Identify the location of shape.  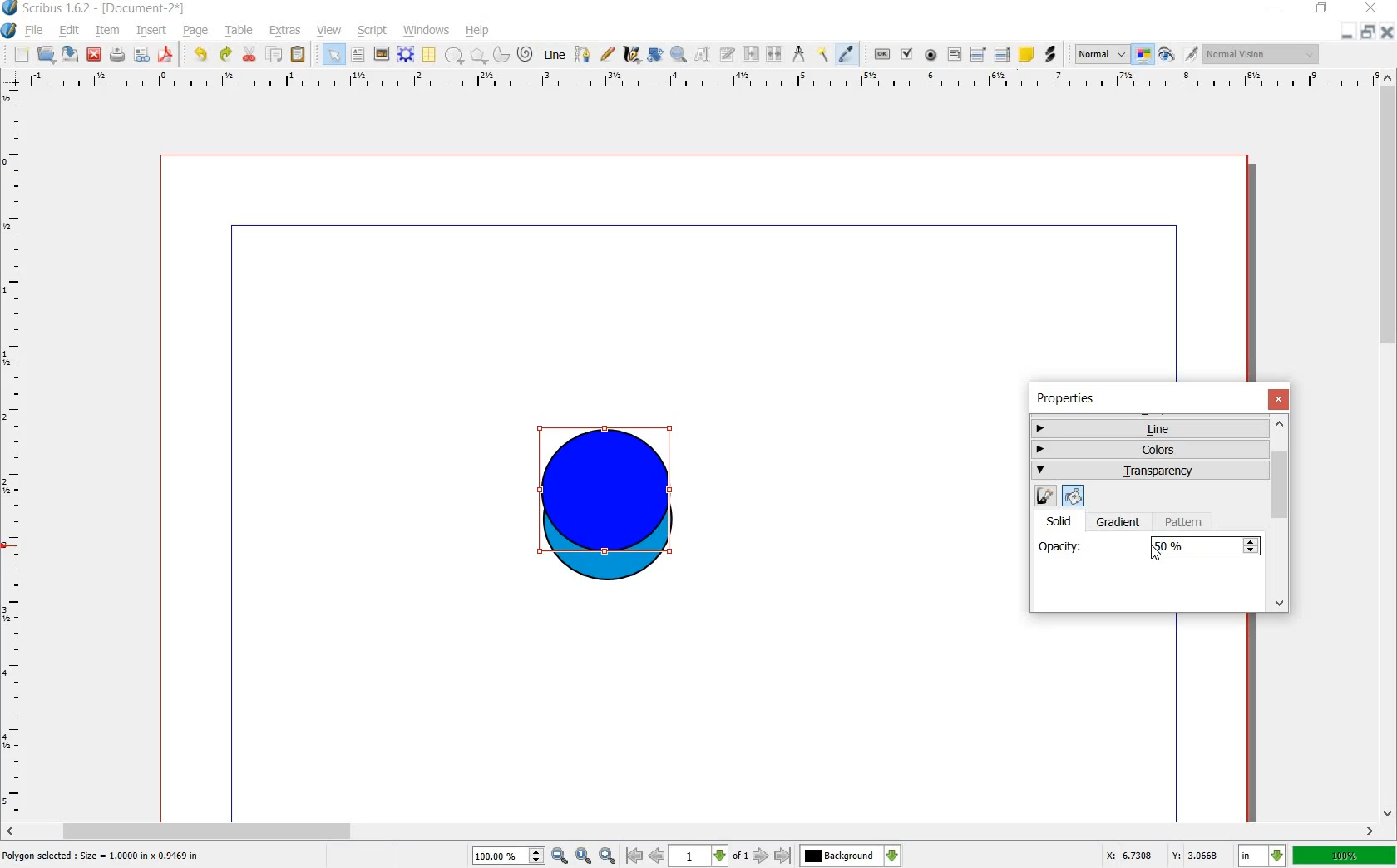
(455, 56).